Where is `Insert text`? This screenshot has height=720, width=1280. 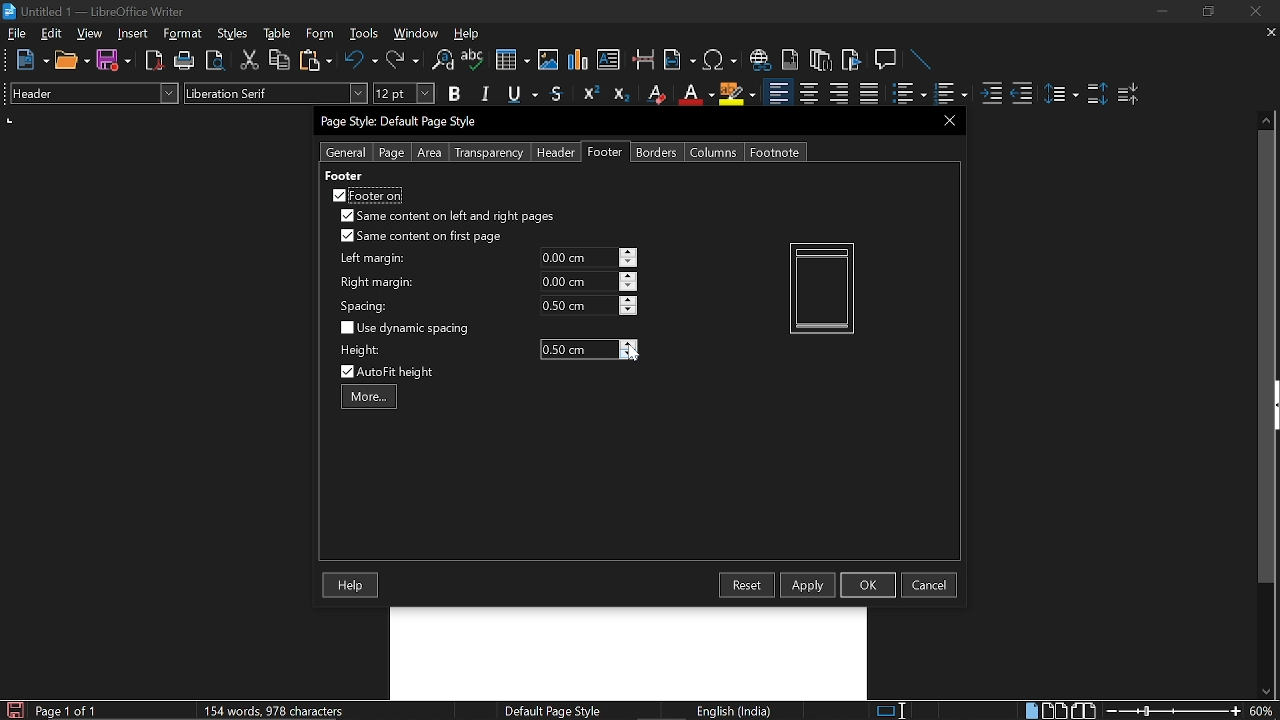 Insert text is located at coordinates (608, 59).